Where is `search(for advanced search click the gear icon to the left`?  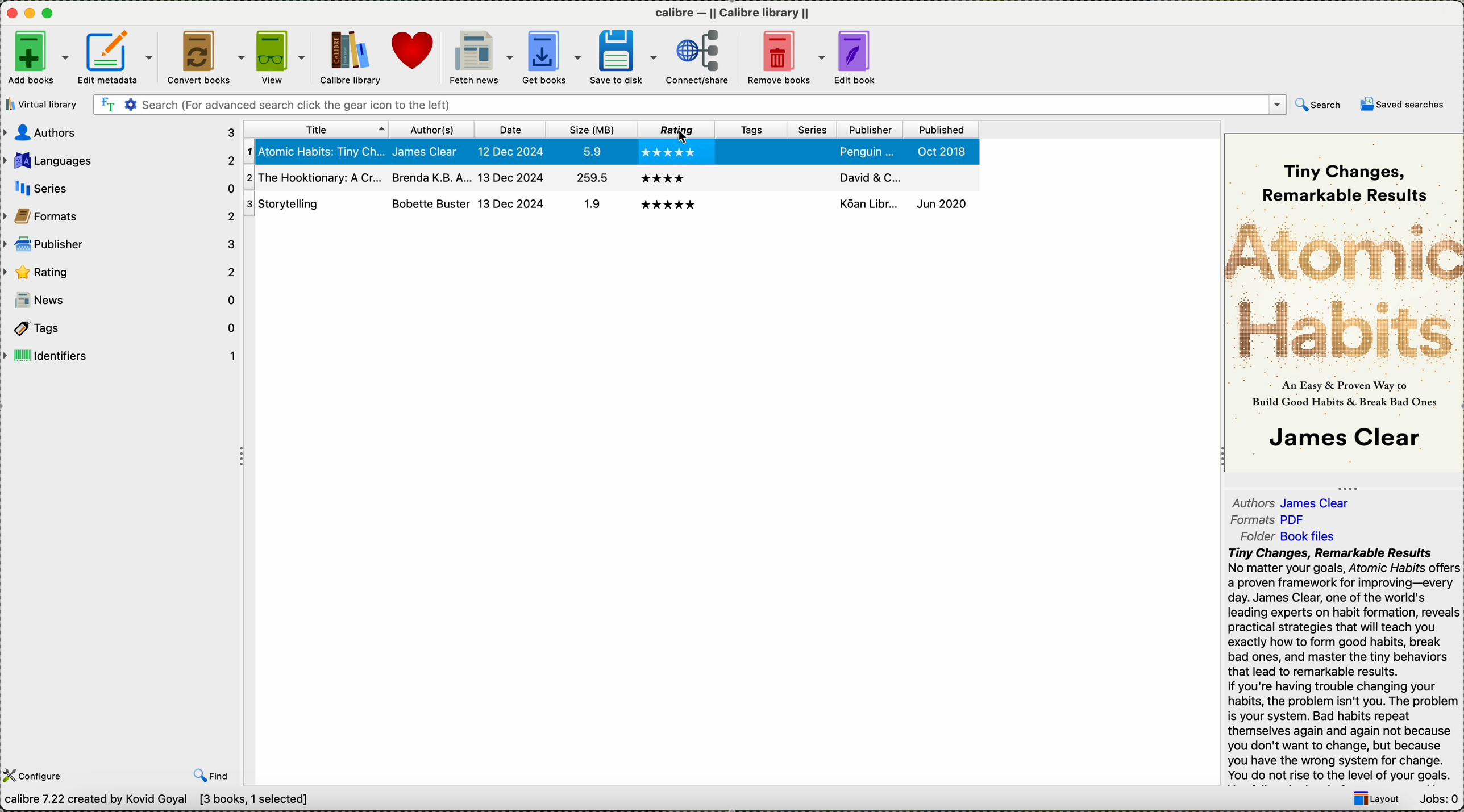 search(for advanced search click the gear icon to the left is located at coordinates (690, 105).